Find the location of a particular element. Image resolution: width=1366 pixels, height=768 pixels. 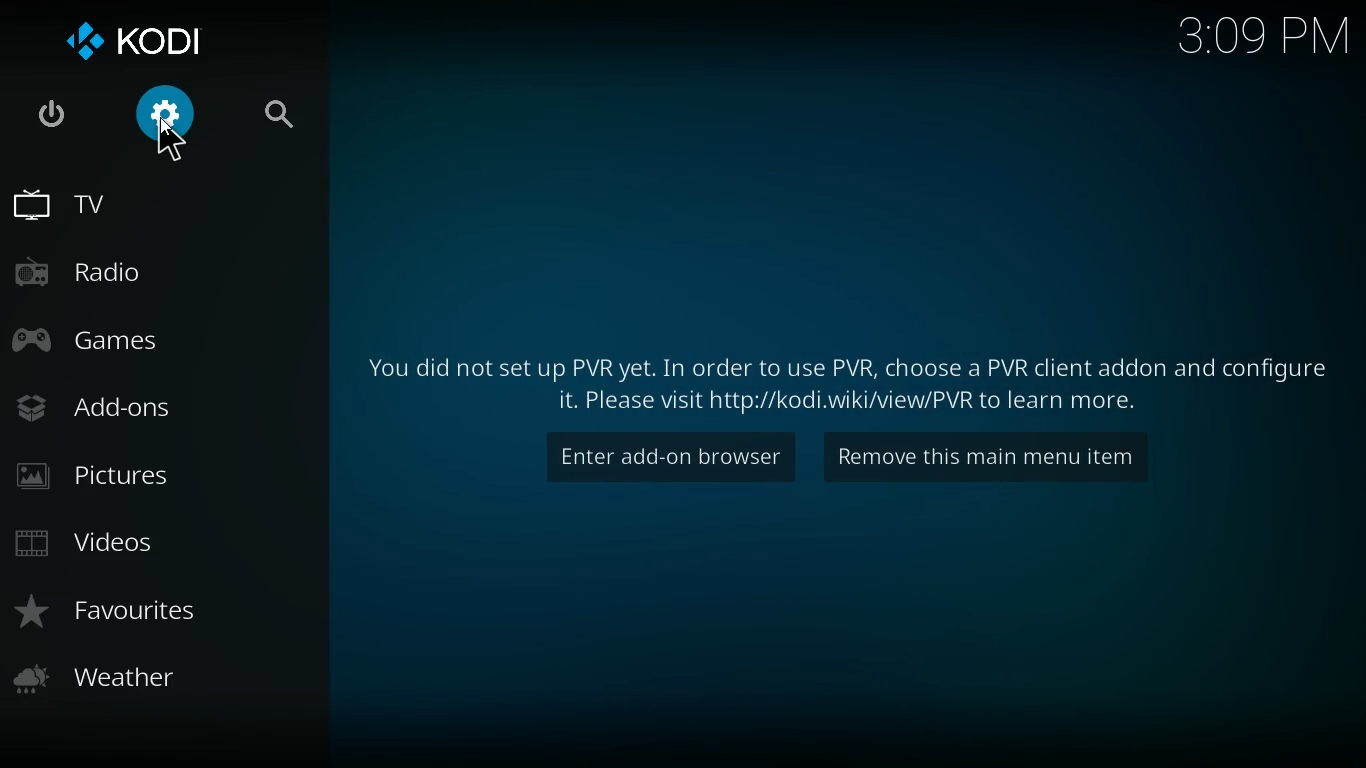

videos is located at coordinates (134, 537).